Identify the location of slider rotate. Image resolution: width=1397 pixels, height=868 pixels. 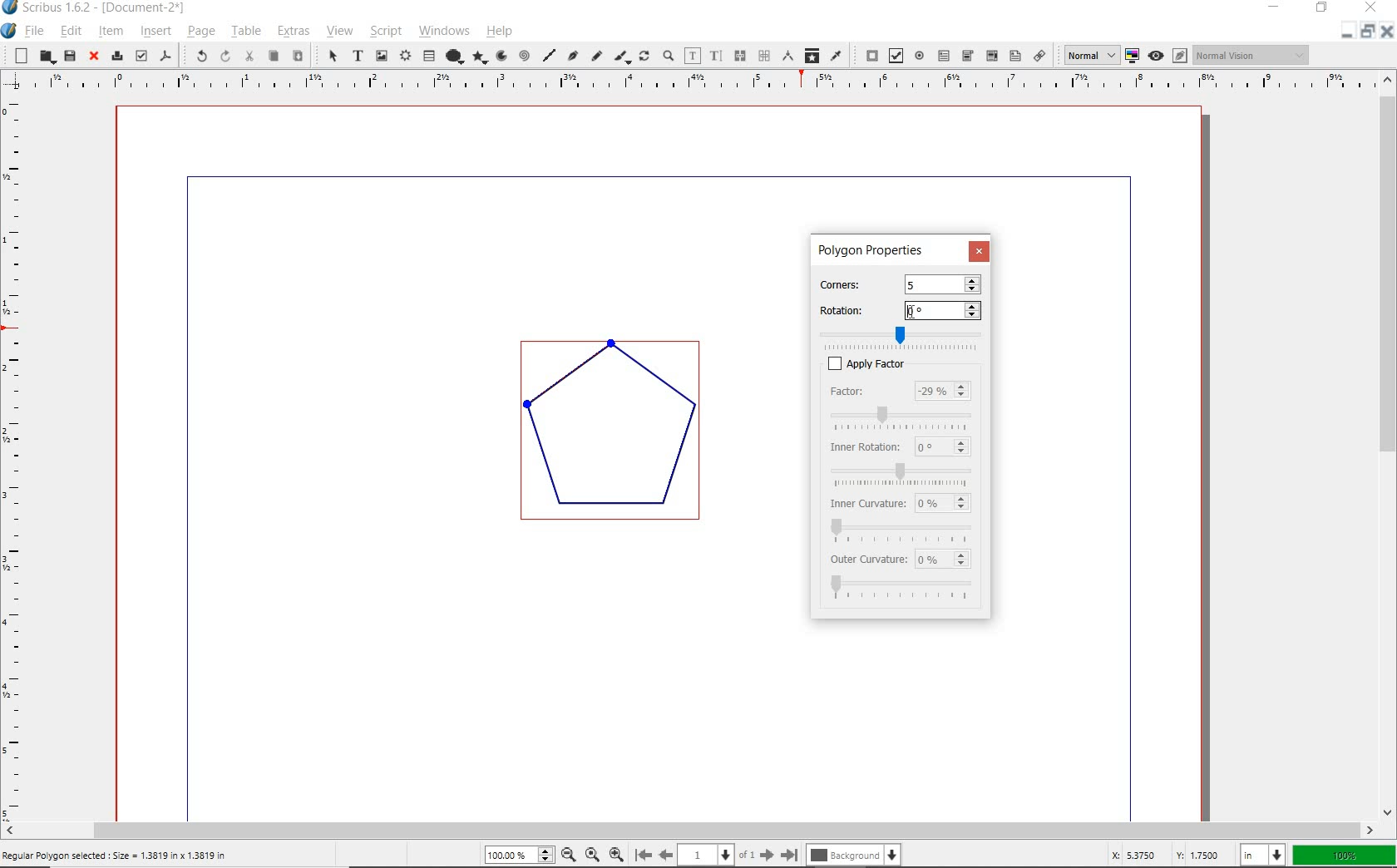
(903, 333).